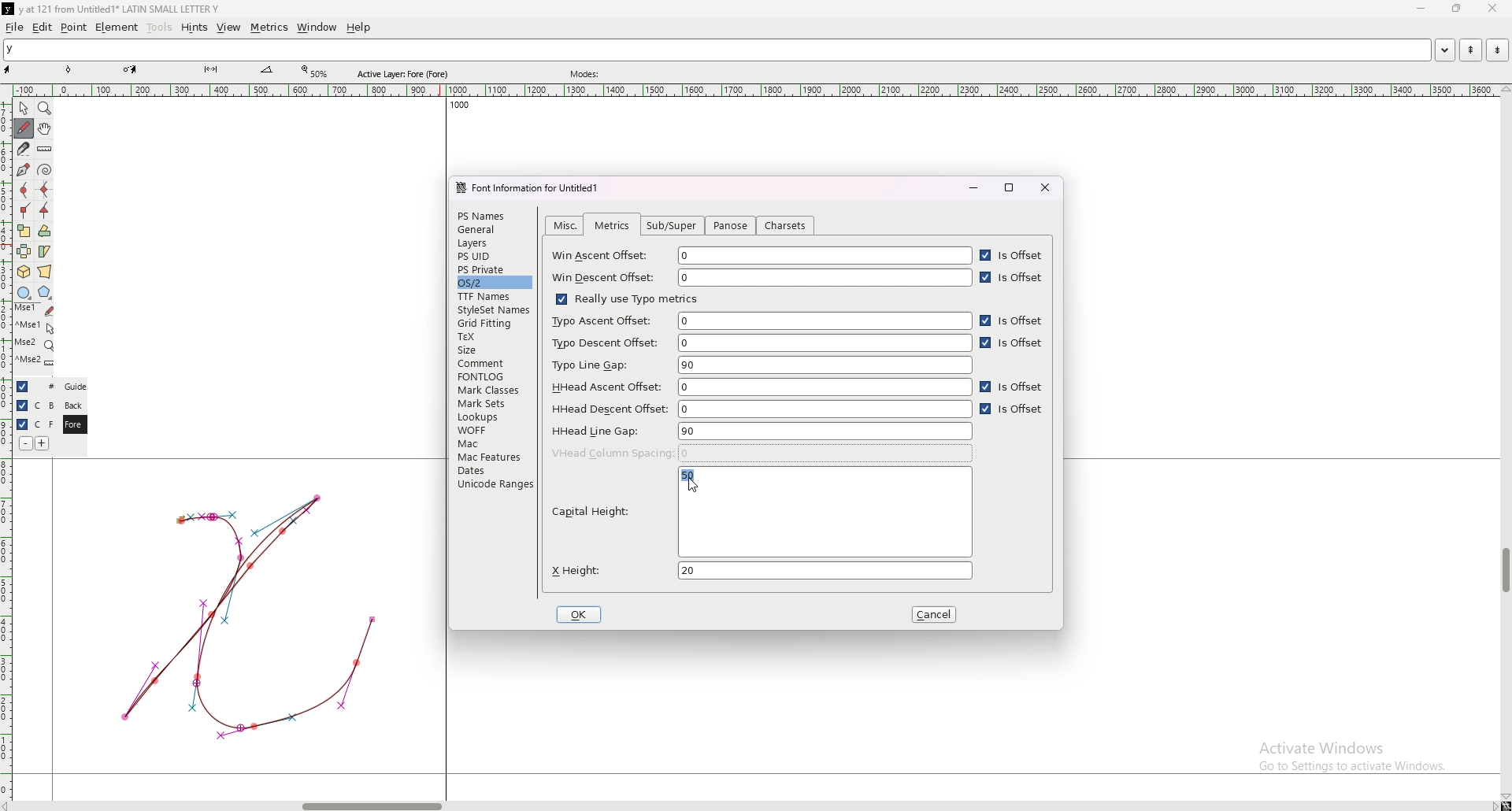 The height and width of the screenshot is (811, 1512). Describe the element at coordinates (1013, 320) in the screenshot. I see `is offset` at that location.